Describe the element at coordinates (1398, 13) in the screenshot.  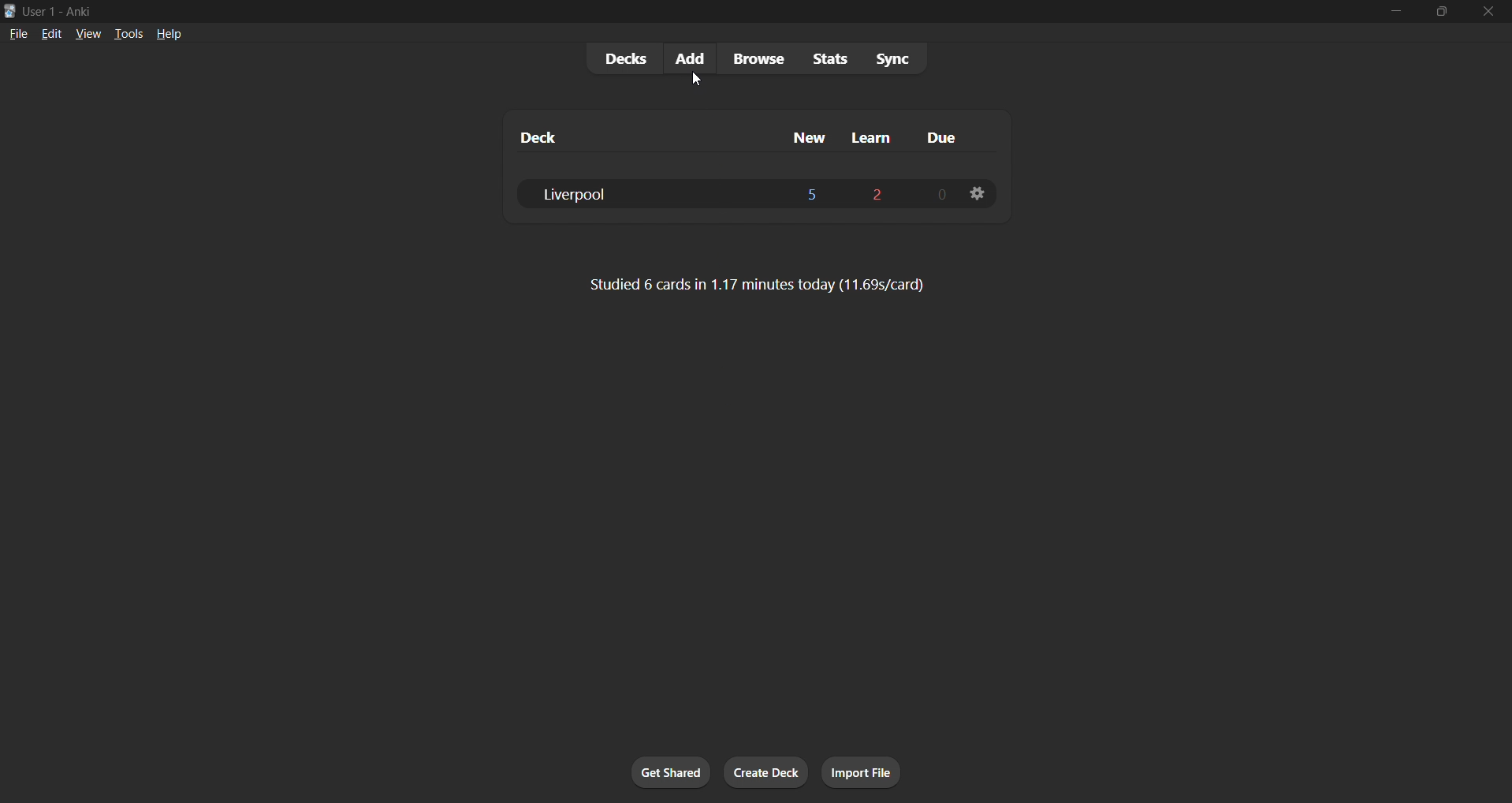
I see `minimize` at that location.